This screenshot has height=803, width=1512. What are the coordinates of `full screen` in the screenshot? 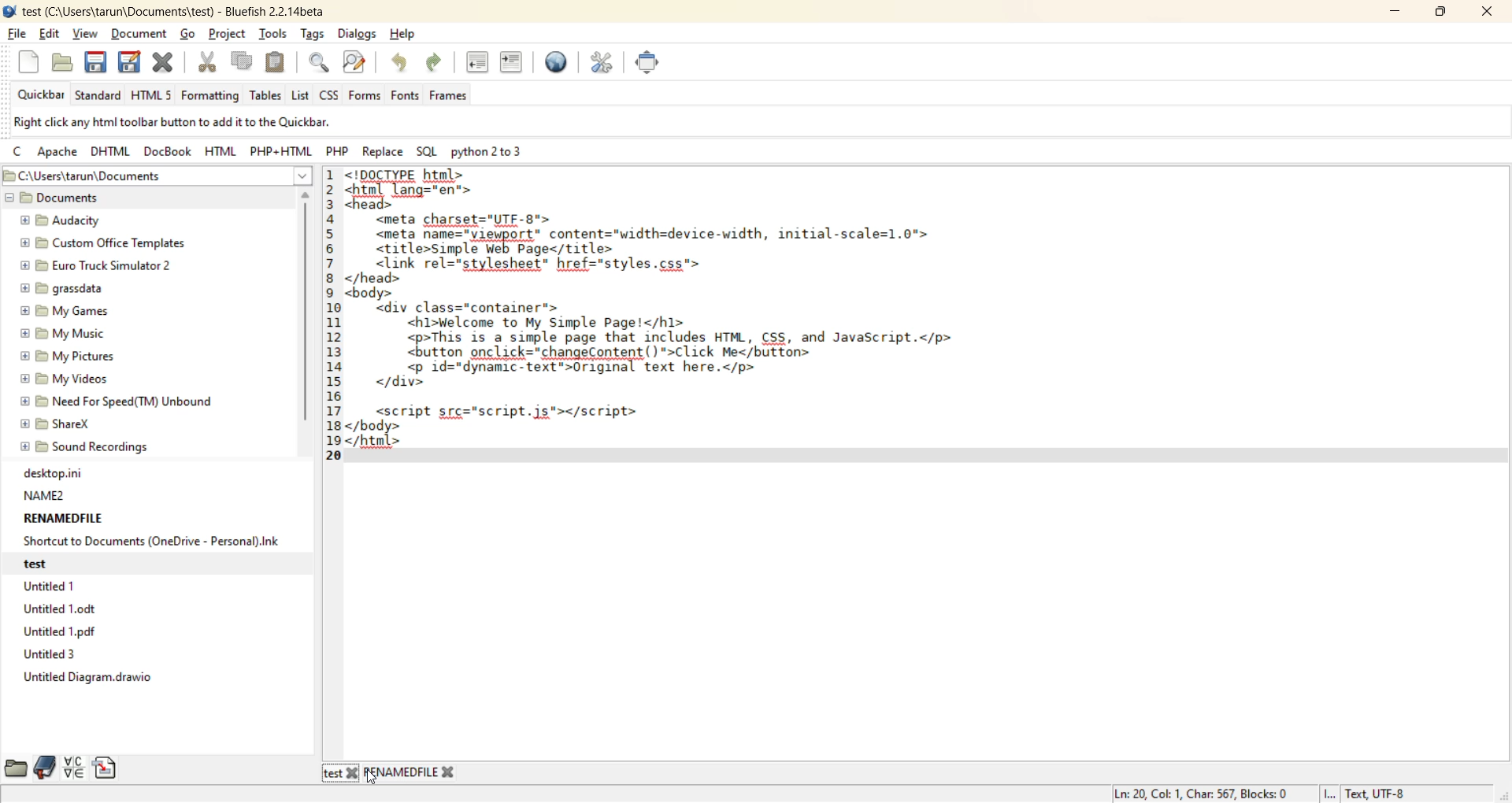 It's located at (653, 66).